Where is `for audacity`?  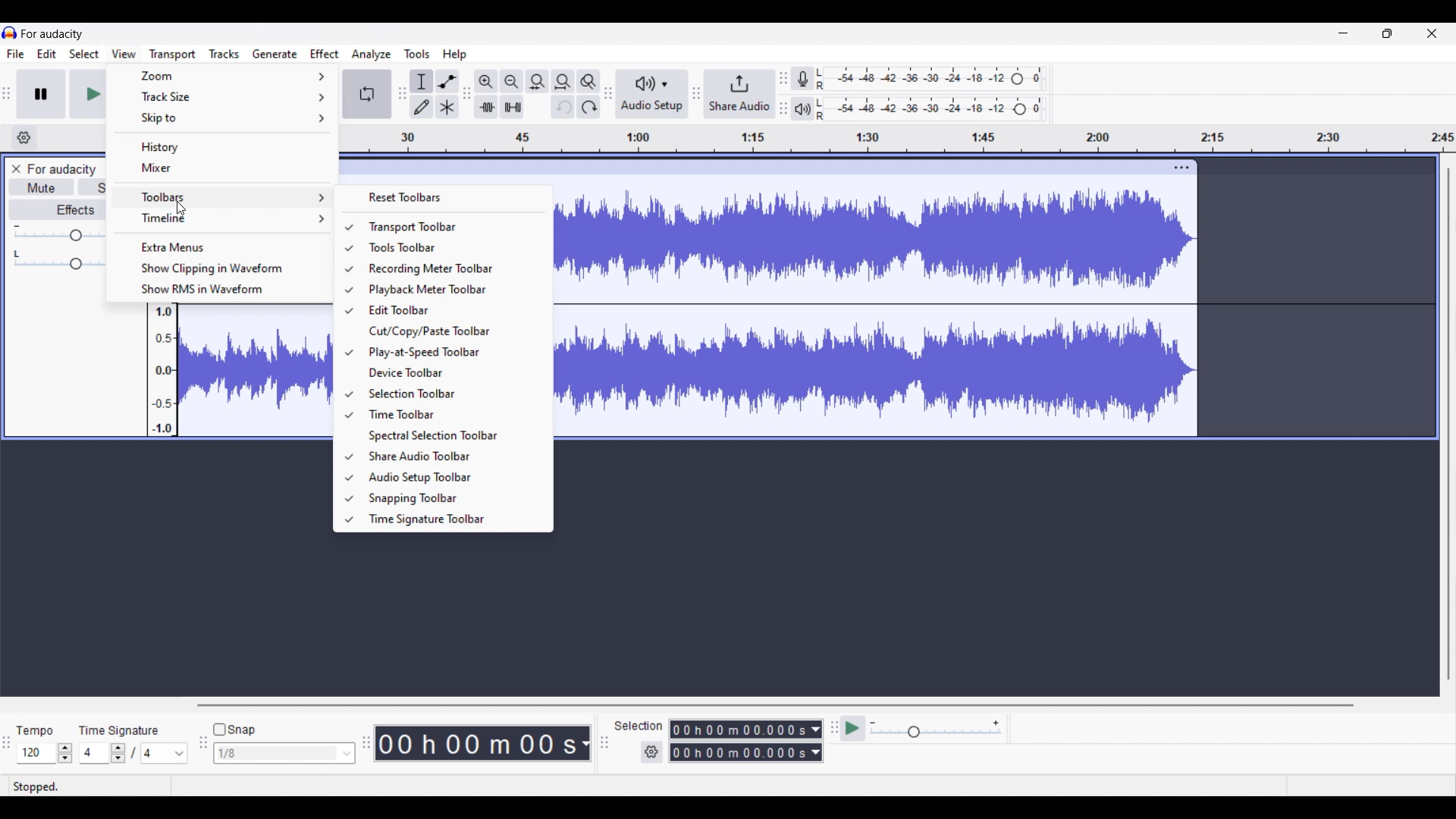 for audacity is located at coordinates (52, 34).